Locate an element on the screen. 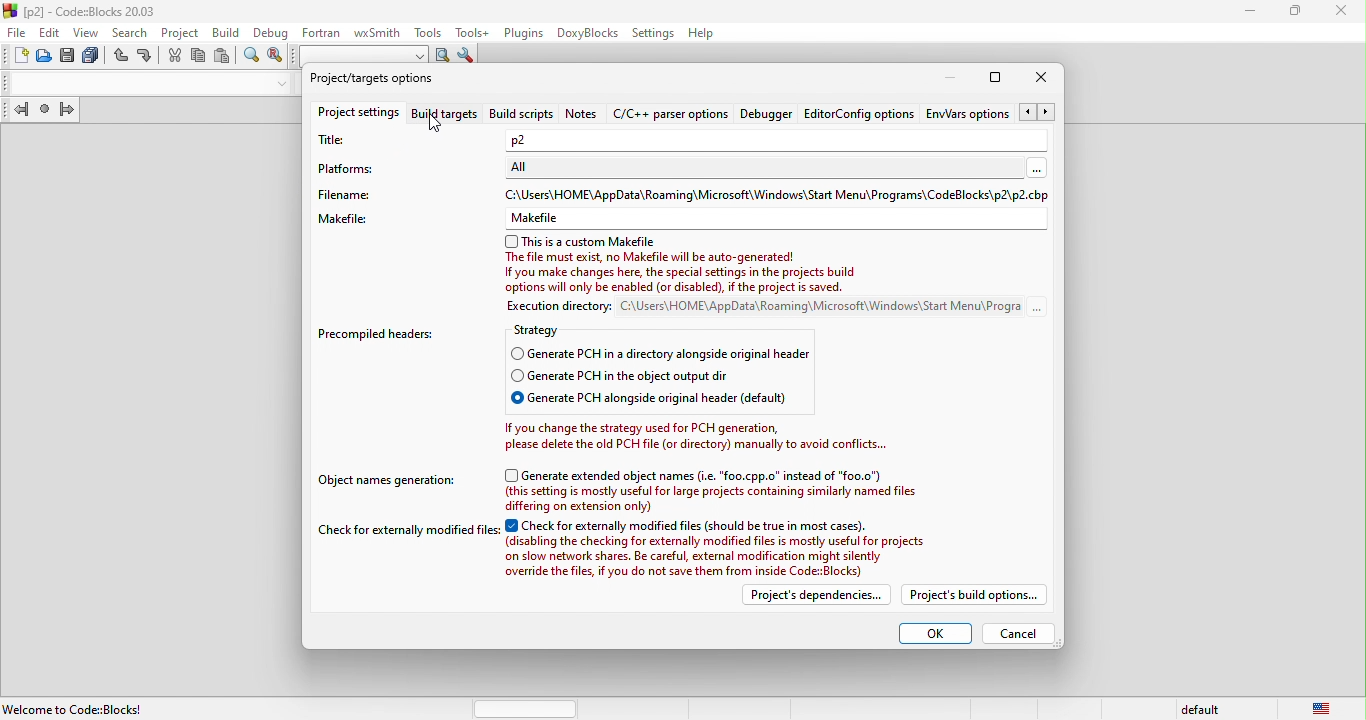  search to text is located at coordinates (361, 54).